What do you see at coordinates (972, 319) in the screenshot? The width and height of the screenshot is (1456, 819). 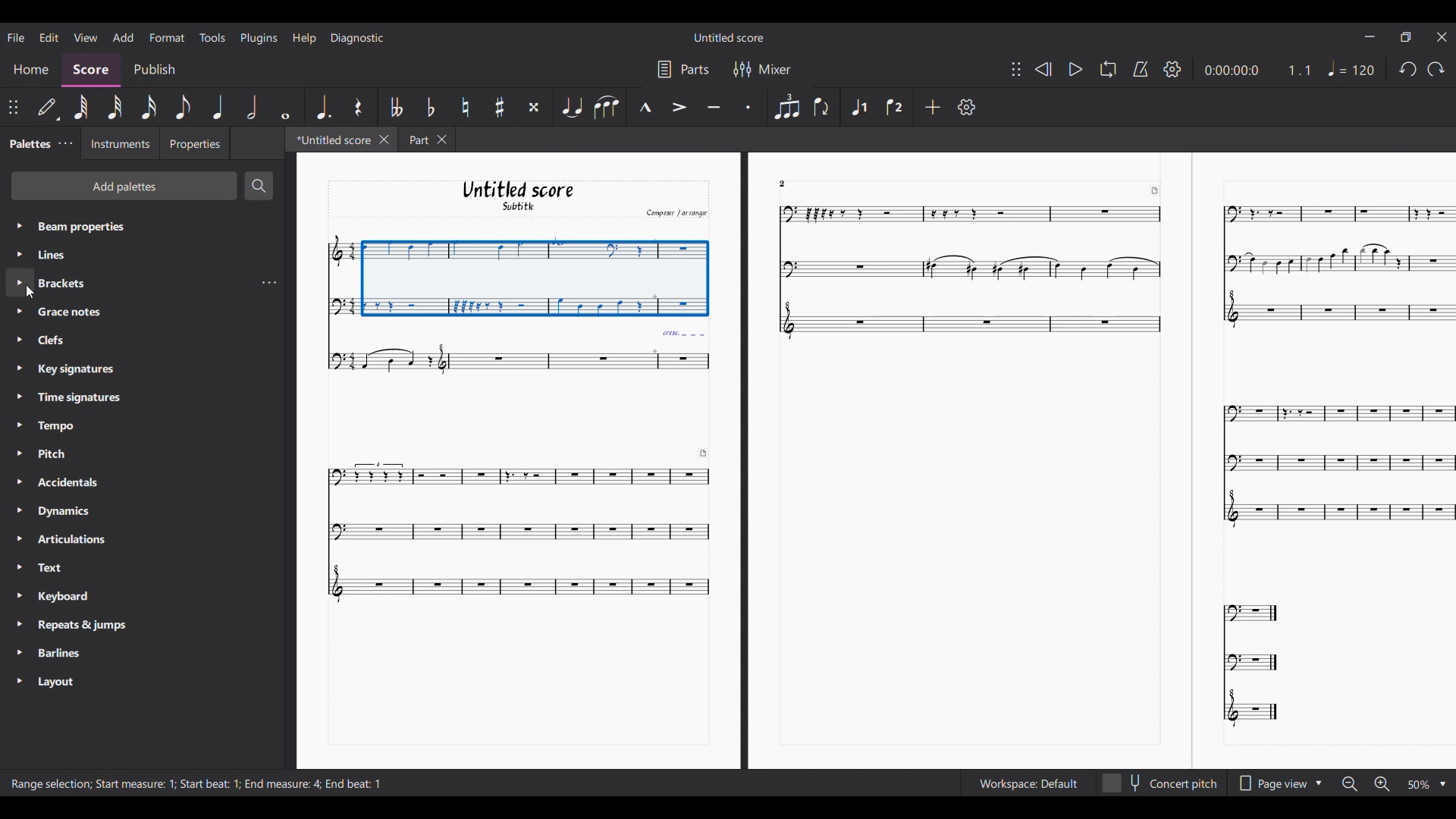 I see `` at bounding box center [972, 319].